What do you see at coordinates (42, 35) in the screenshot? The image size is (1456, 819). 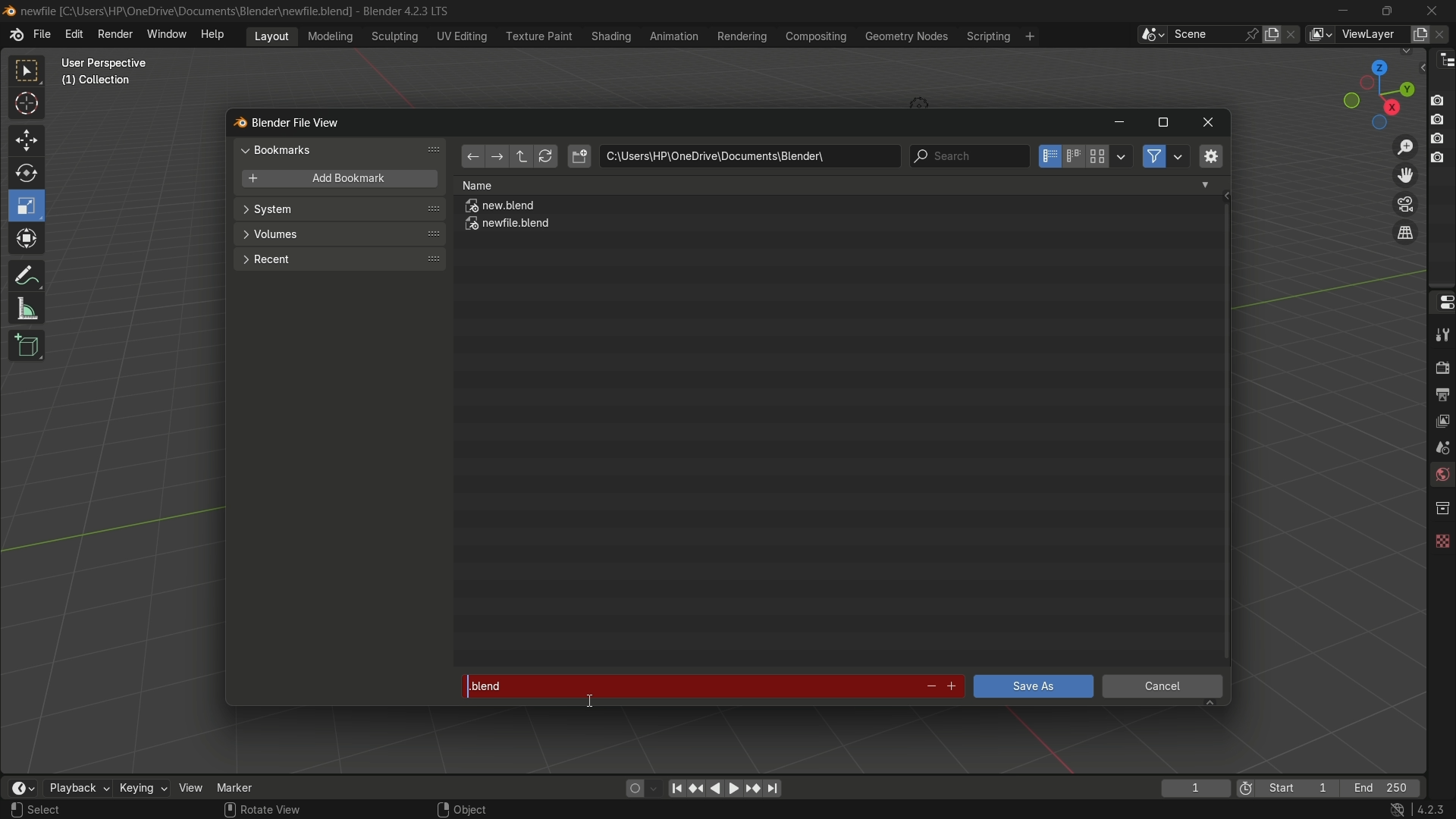 I see `file menu` at bounding box center [42, 35].